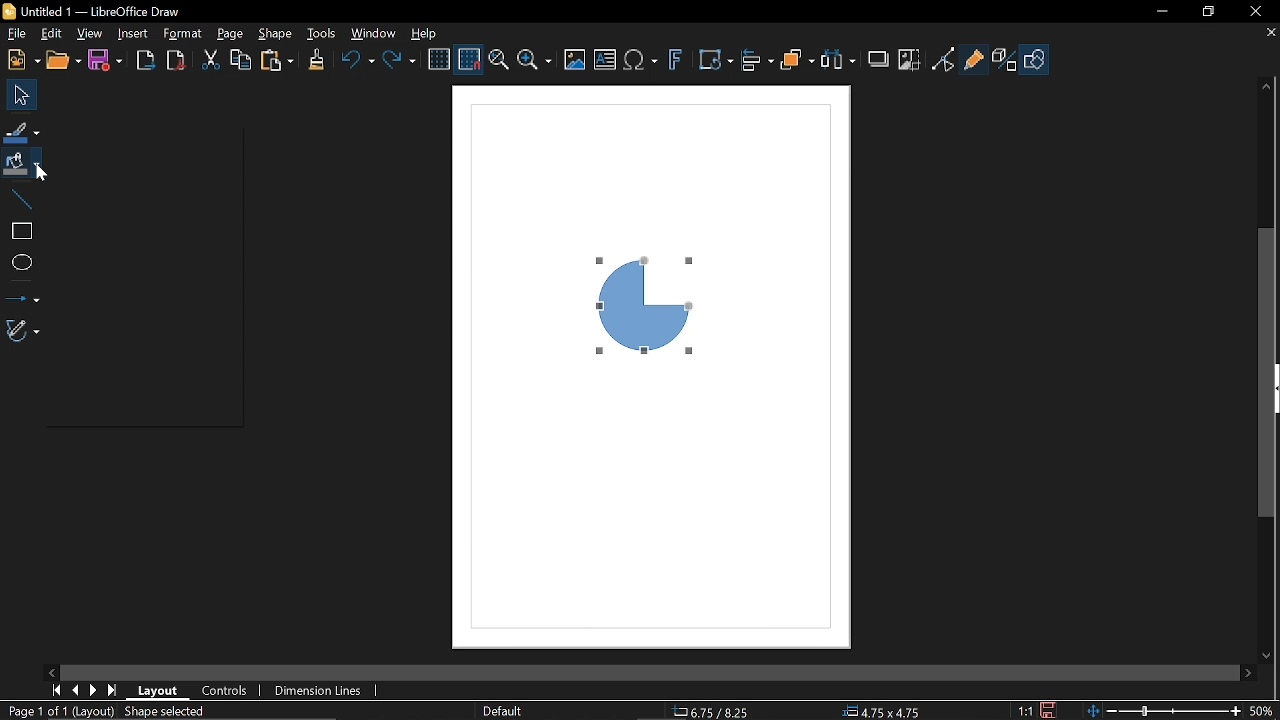 The image size is (1280, 720). What do you see at coordinates (604, 59) in the screenshot?
I see `Insert image` at bounding box center [604, 59].